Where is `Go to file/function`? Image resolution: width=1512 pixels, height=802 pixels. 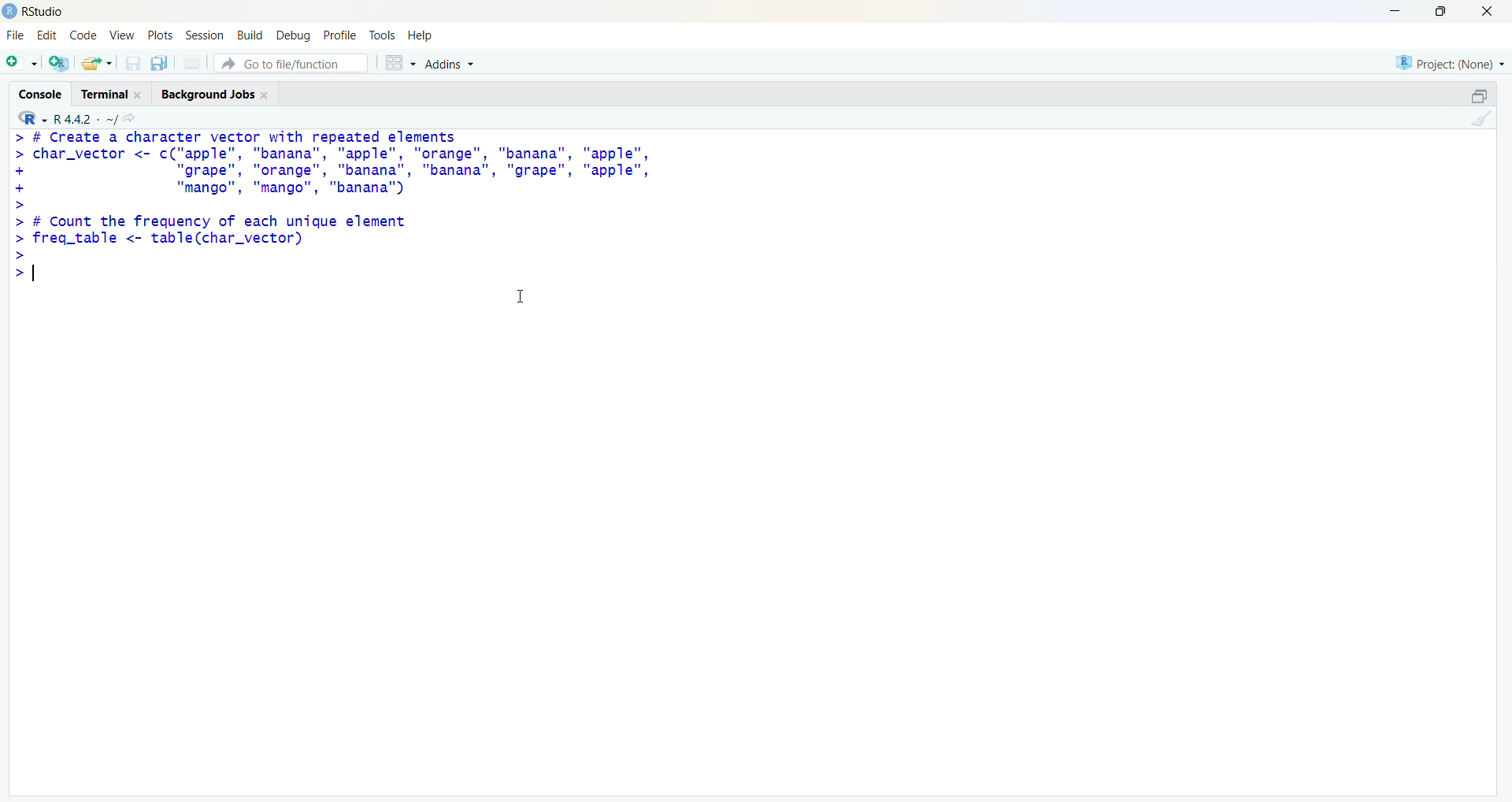
Go to file/function is located at coordinates (292, 63).